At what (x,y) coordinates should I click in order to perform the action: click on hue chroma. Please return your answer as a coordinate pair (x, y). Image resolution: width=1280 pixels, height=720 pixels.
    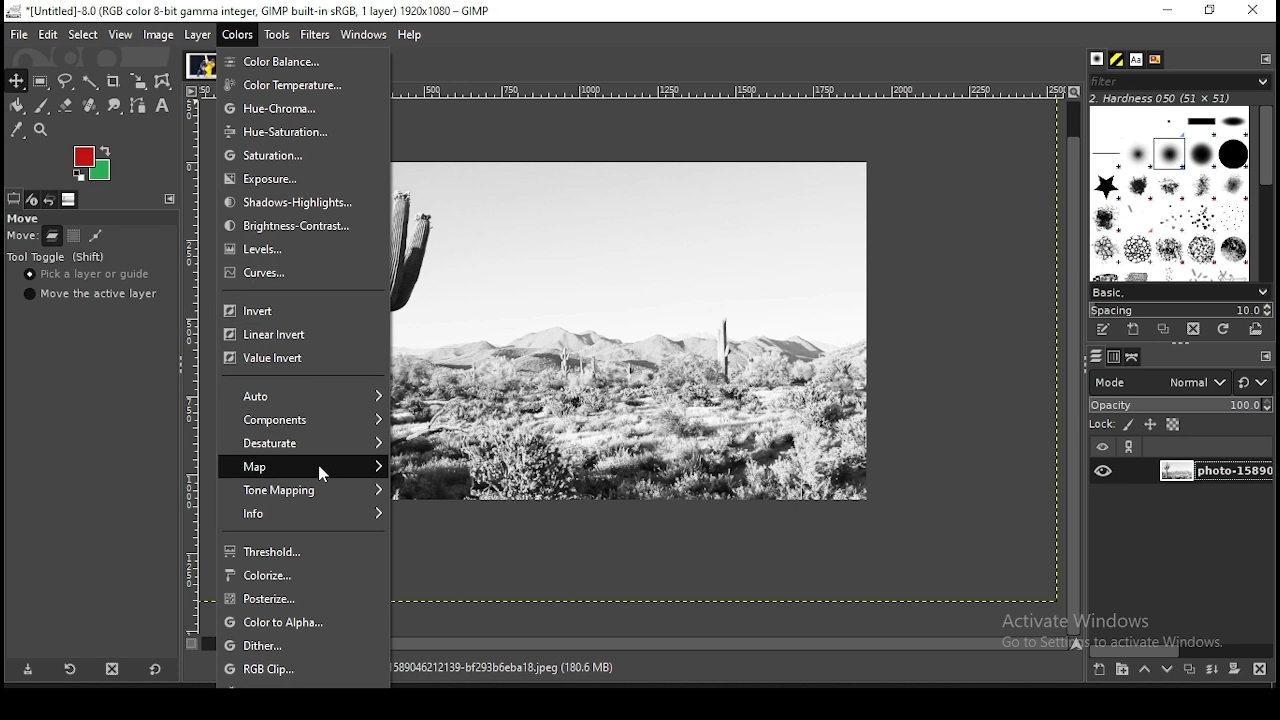
    Looking at the image, I should click on (286, 107).